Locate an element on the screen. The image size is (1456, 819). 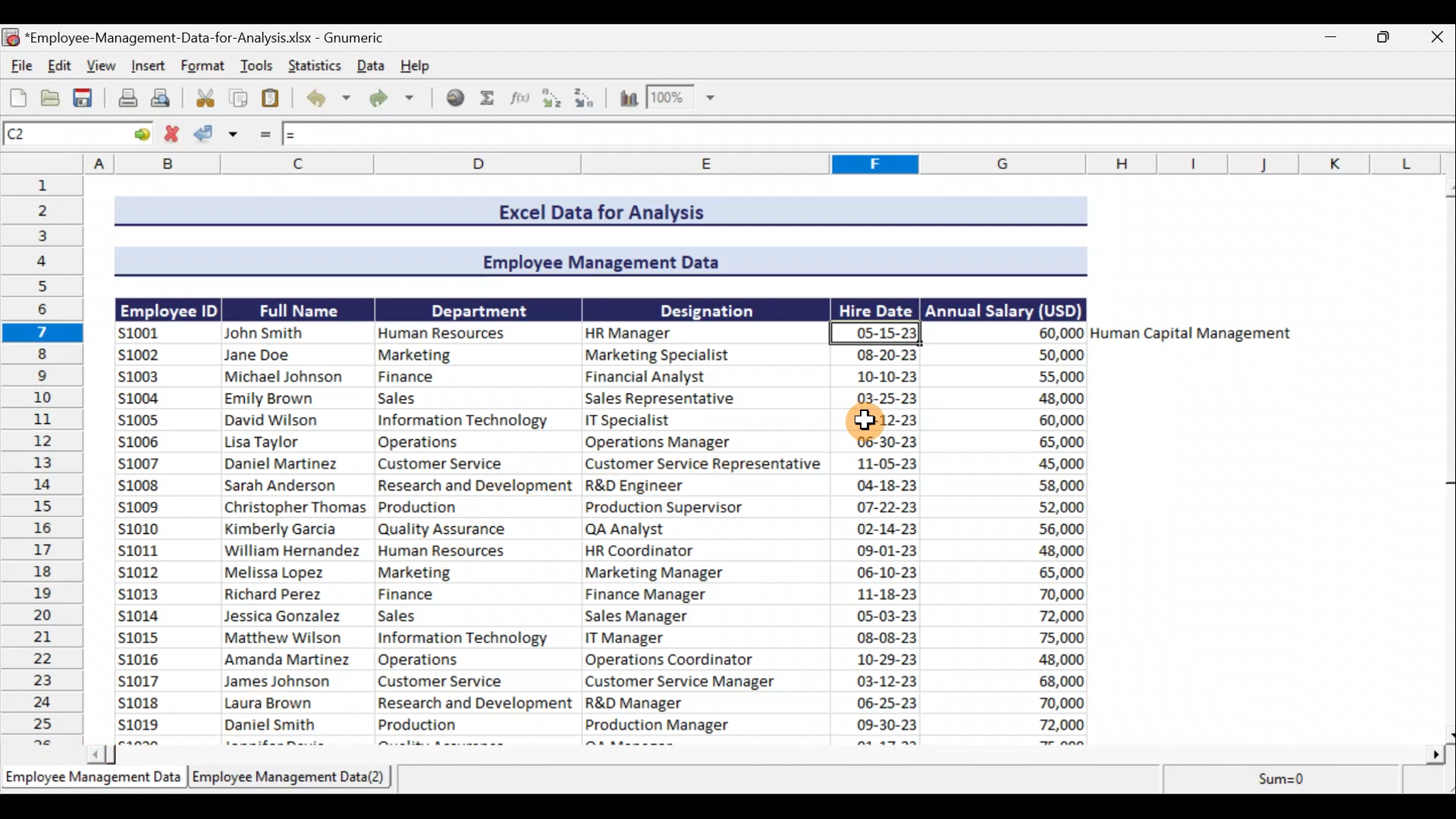
= is located at coordinates (295, 134).